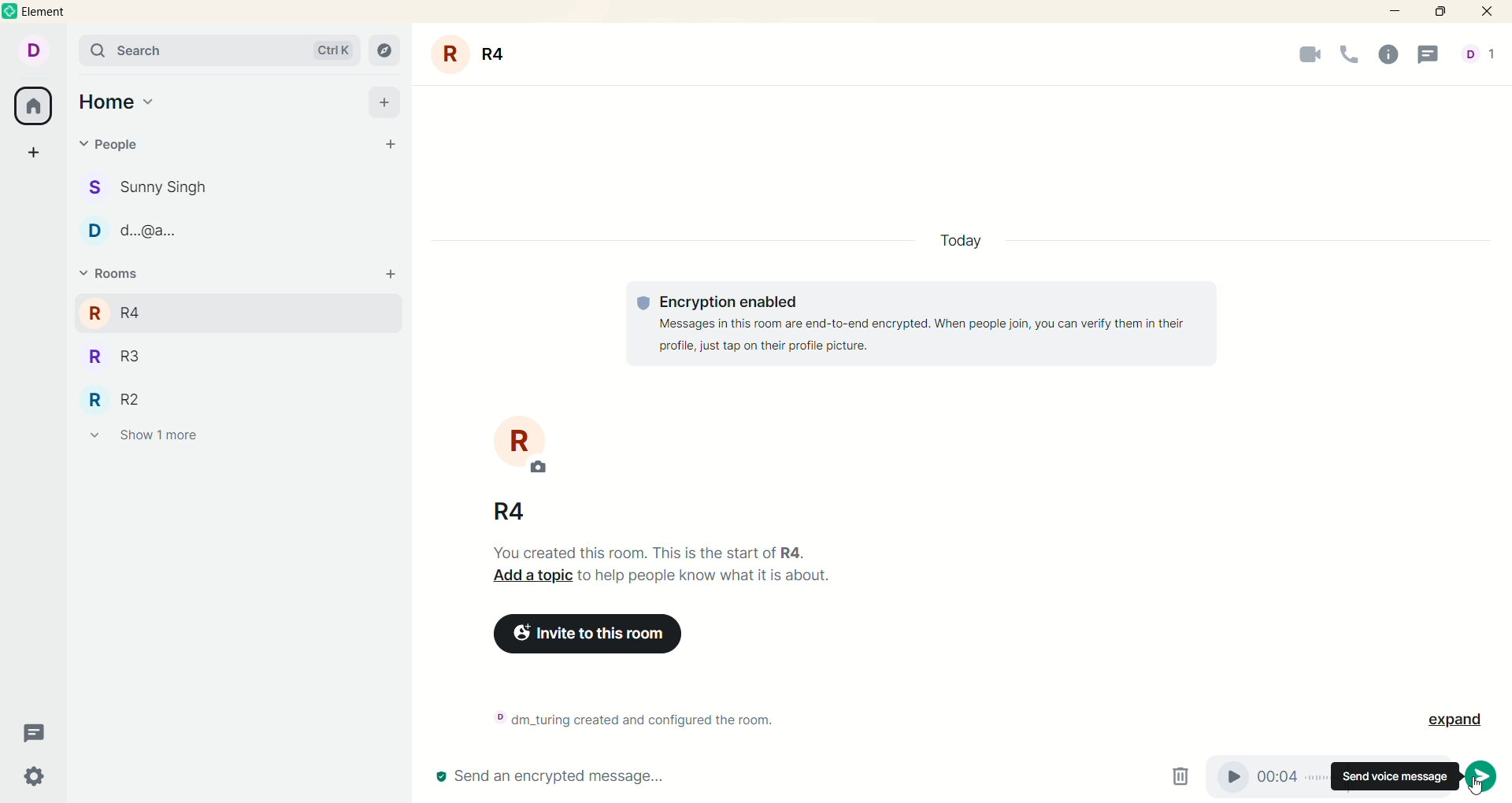 This screenshot has height=803, width=1512. I want to click on start chat, so click(393, 146).